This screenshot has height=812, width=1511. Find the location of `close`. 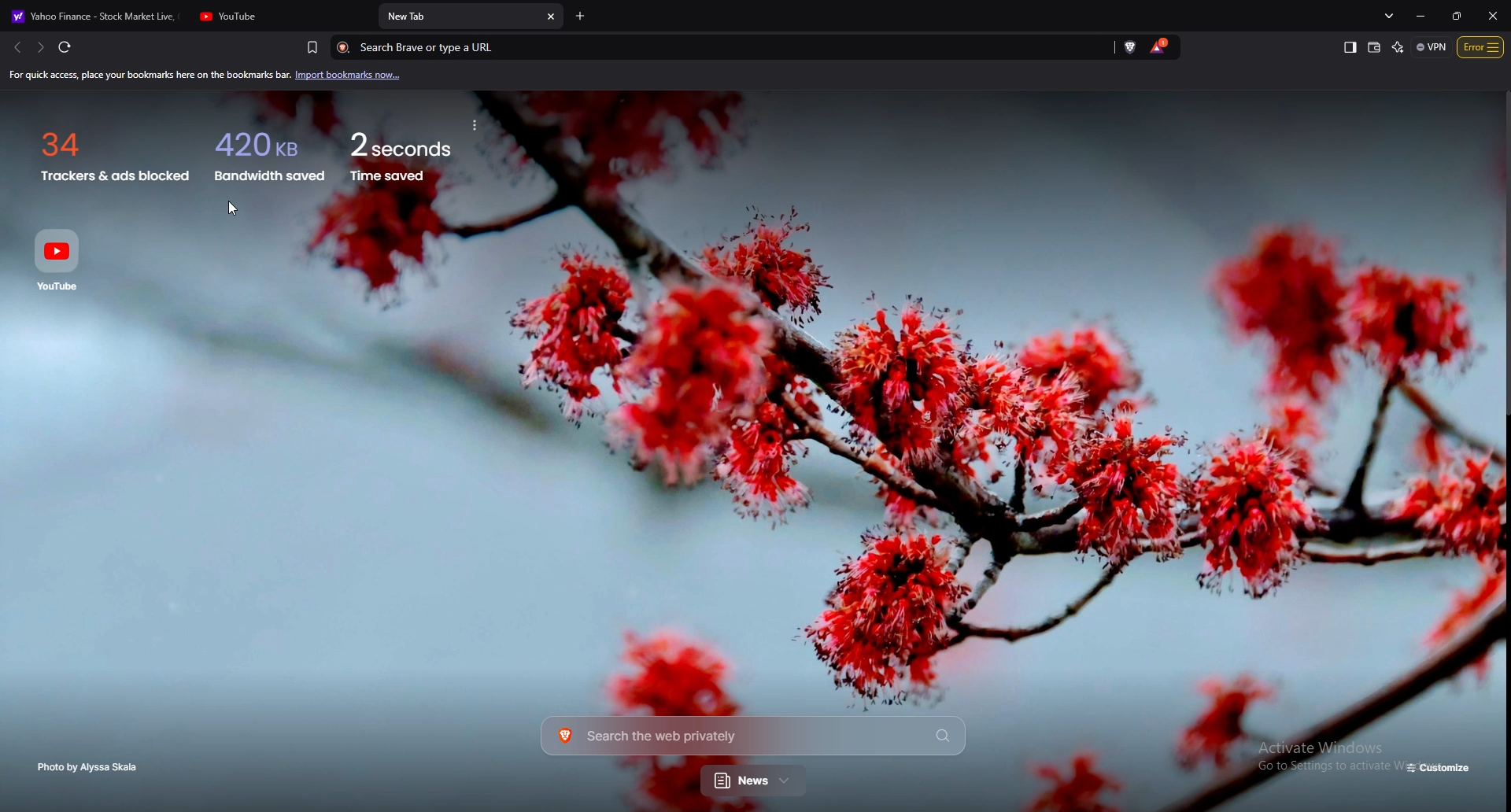

close is located at coordinates (1493, 15).